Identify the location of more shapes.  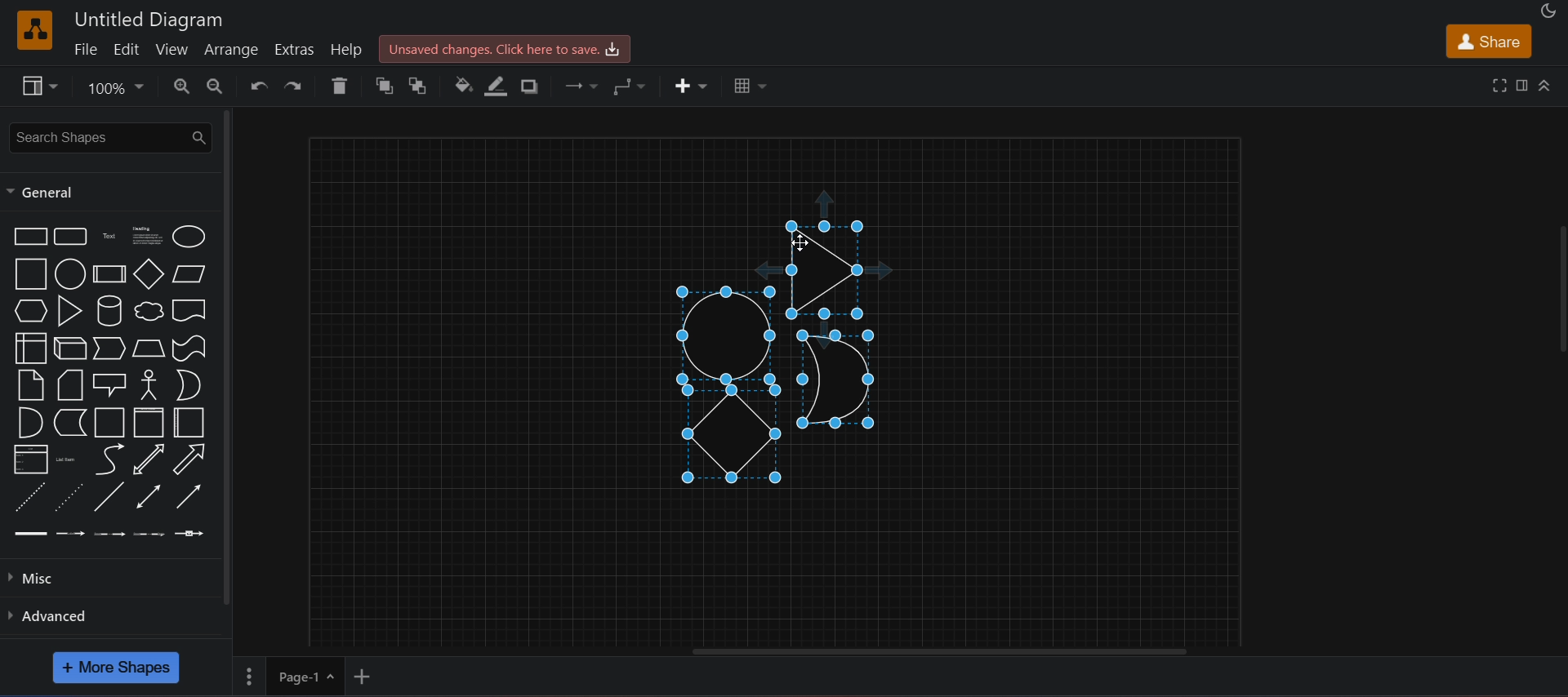
(116, 667).